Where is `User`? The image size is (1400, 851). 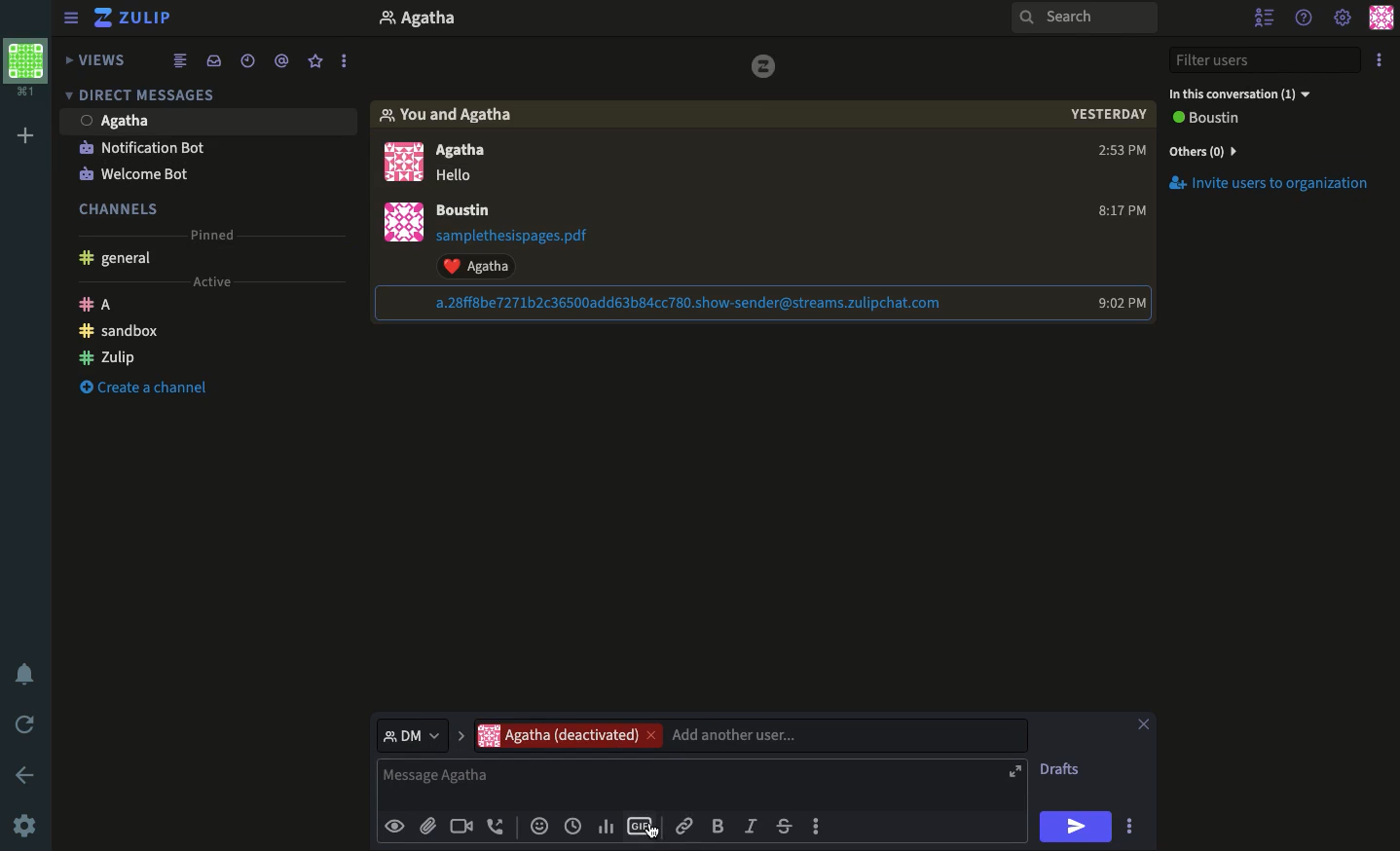
User is located at coordinates (474, 210).